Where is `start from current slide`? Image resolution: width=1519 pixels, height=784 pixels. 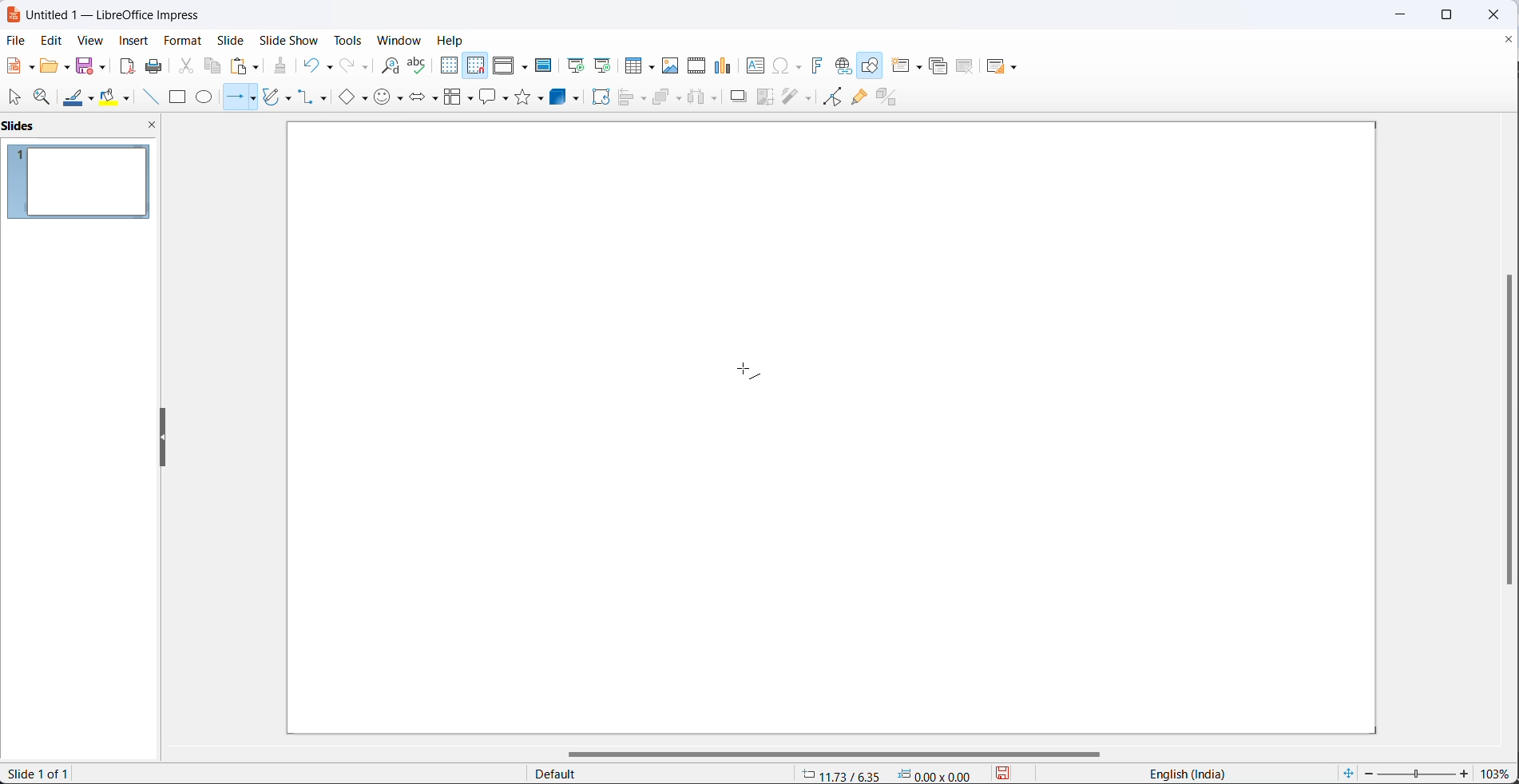 start from current slide is located at coordinates (601, 65).